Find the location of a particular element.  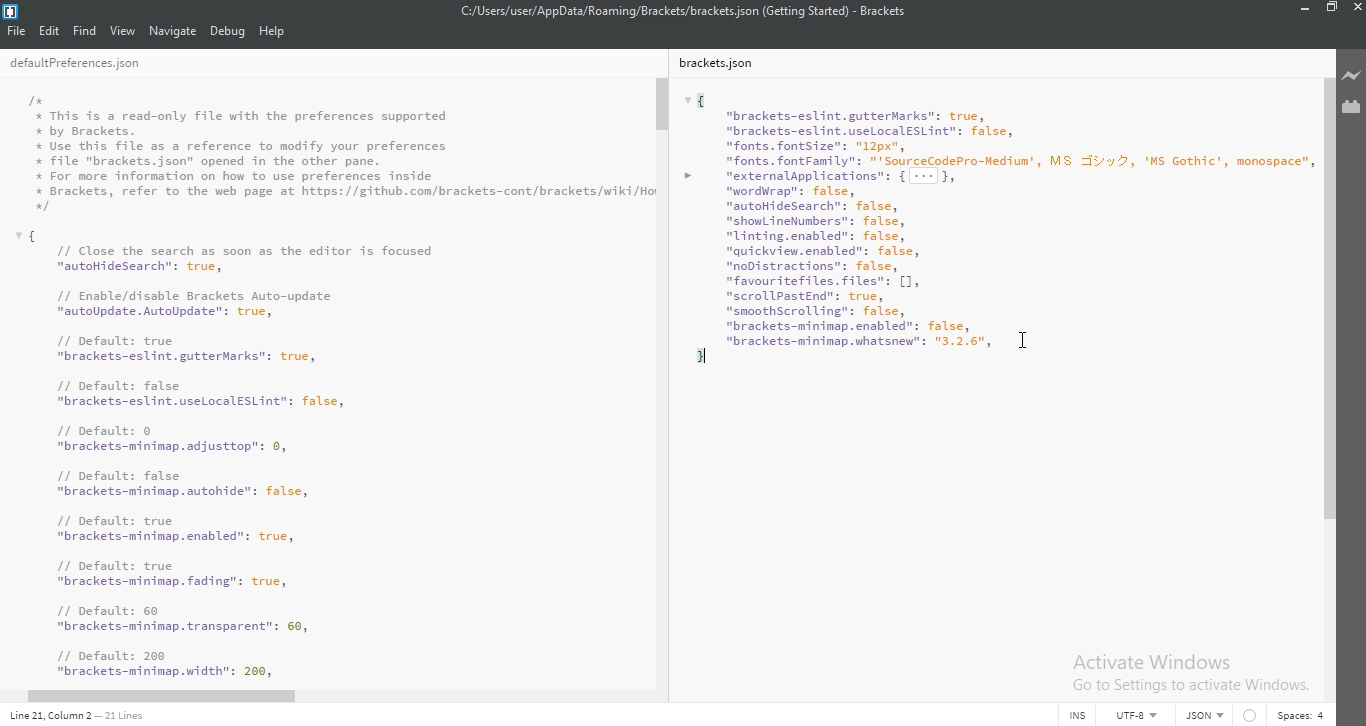

live preview is located at coordinates (1350, 75).